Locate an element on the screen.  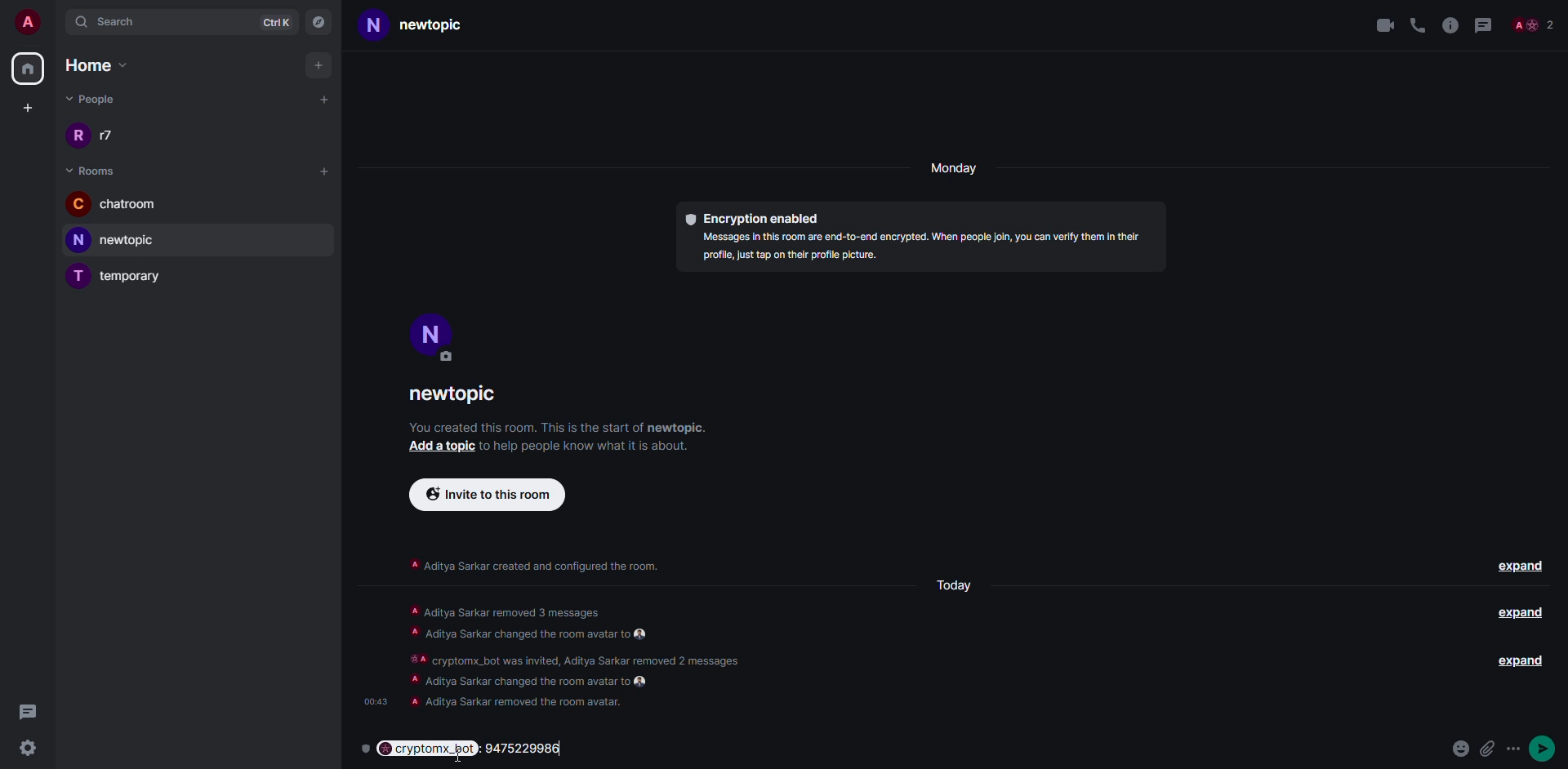
add is located at coordinates (320, 65).